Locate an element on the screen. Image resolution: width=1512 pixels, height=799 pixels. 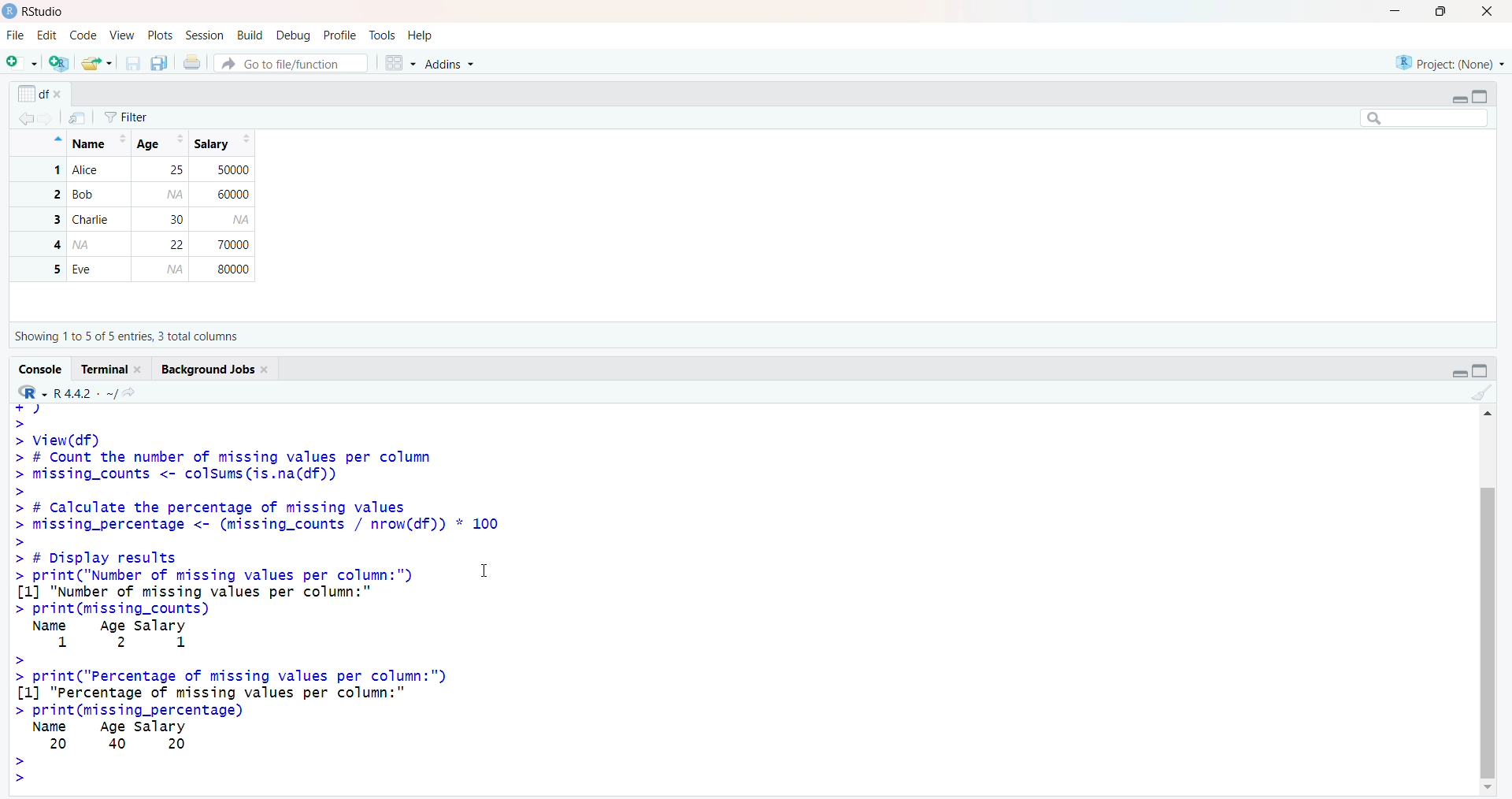
Help is located at coordinates (422, 35).